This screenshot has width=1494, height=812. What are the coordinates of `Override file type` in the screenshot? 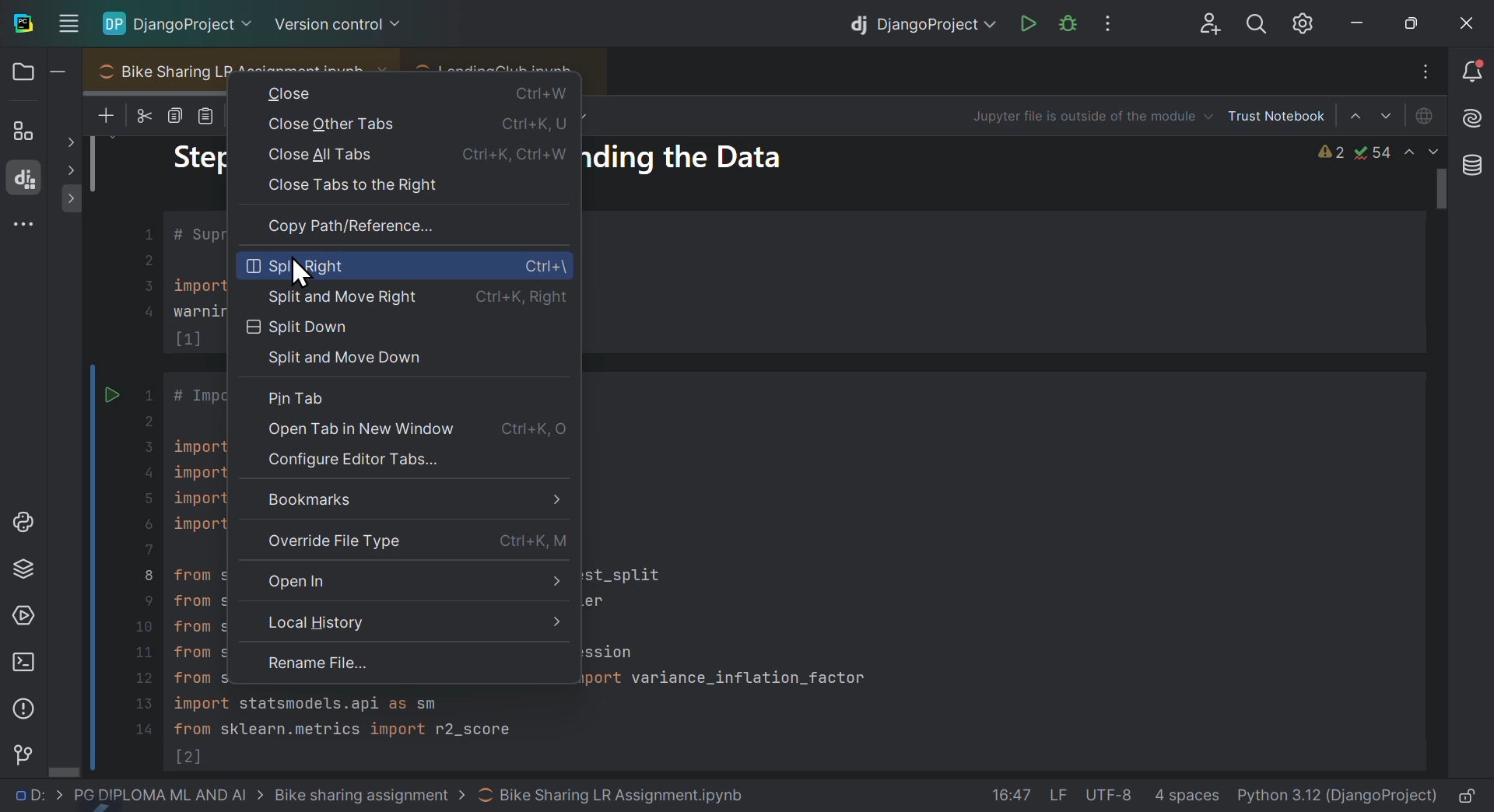 It's located at (412, 537).